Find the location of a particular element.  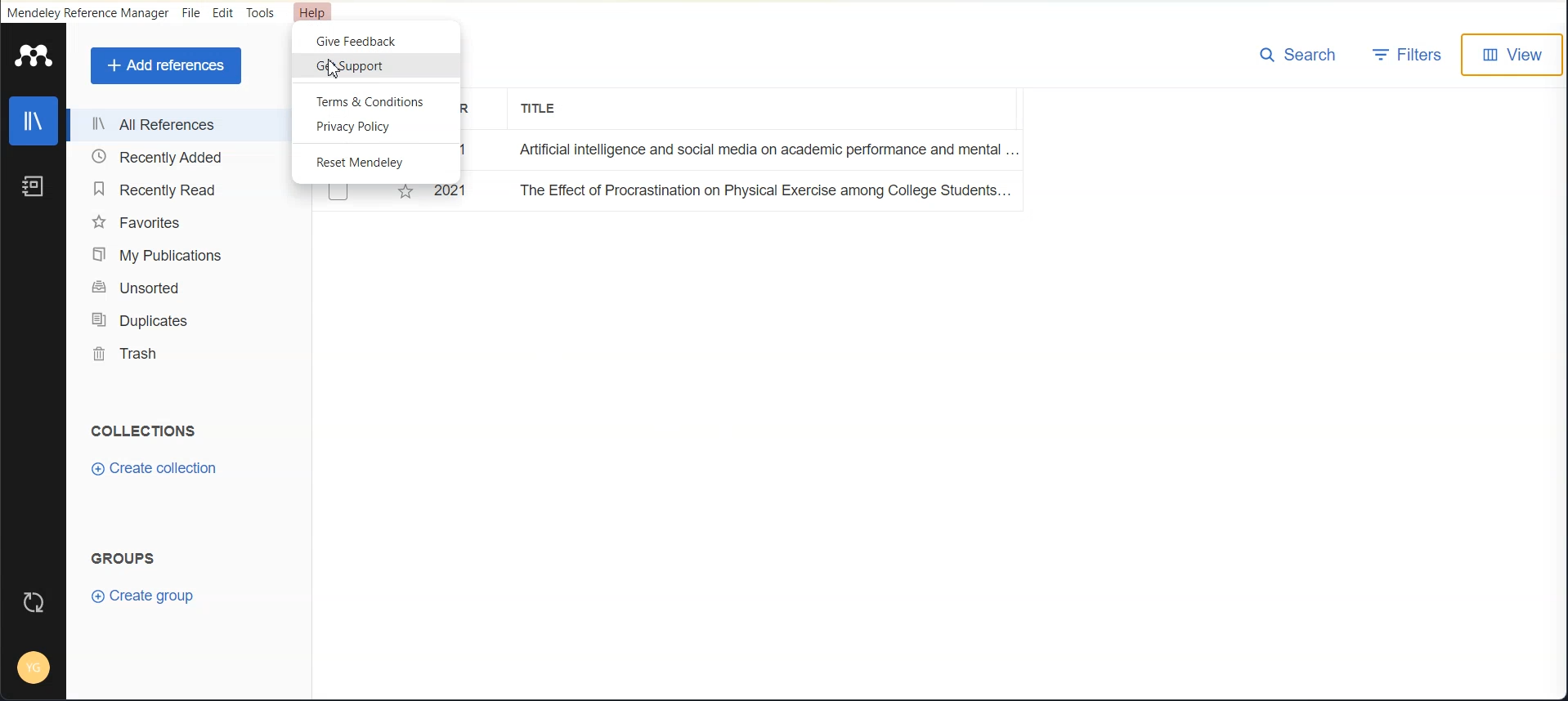

Artificial intelligence and social media on academic performance and mental ... is located at coordinates (773, 152).